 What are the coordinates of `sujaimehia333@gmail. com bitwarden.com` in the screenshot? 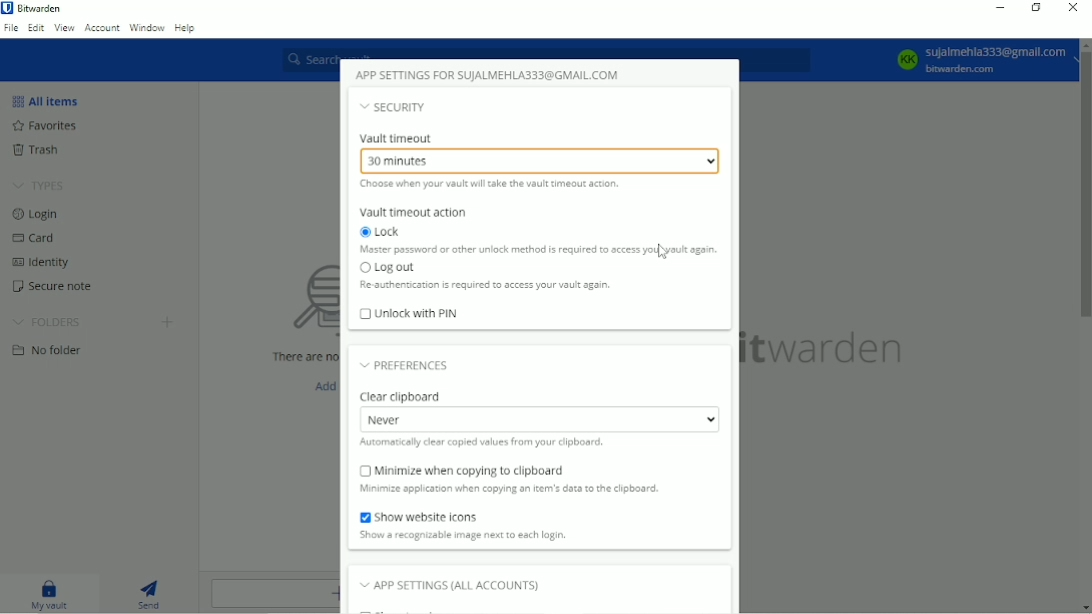 It's located at (997, 59).